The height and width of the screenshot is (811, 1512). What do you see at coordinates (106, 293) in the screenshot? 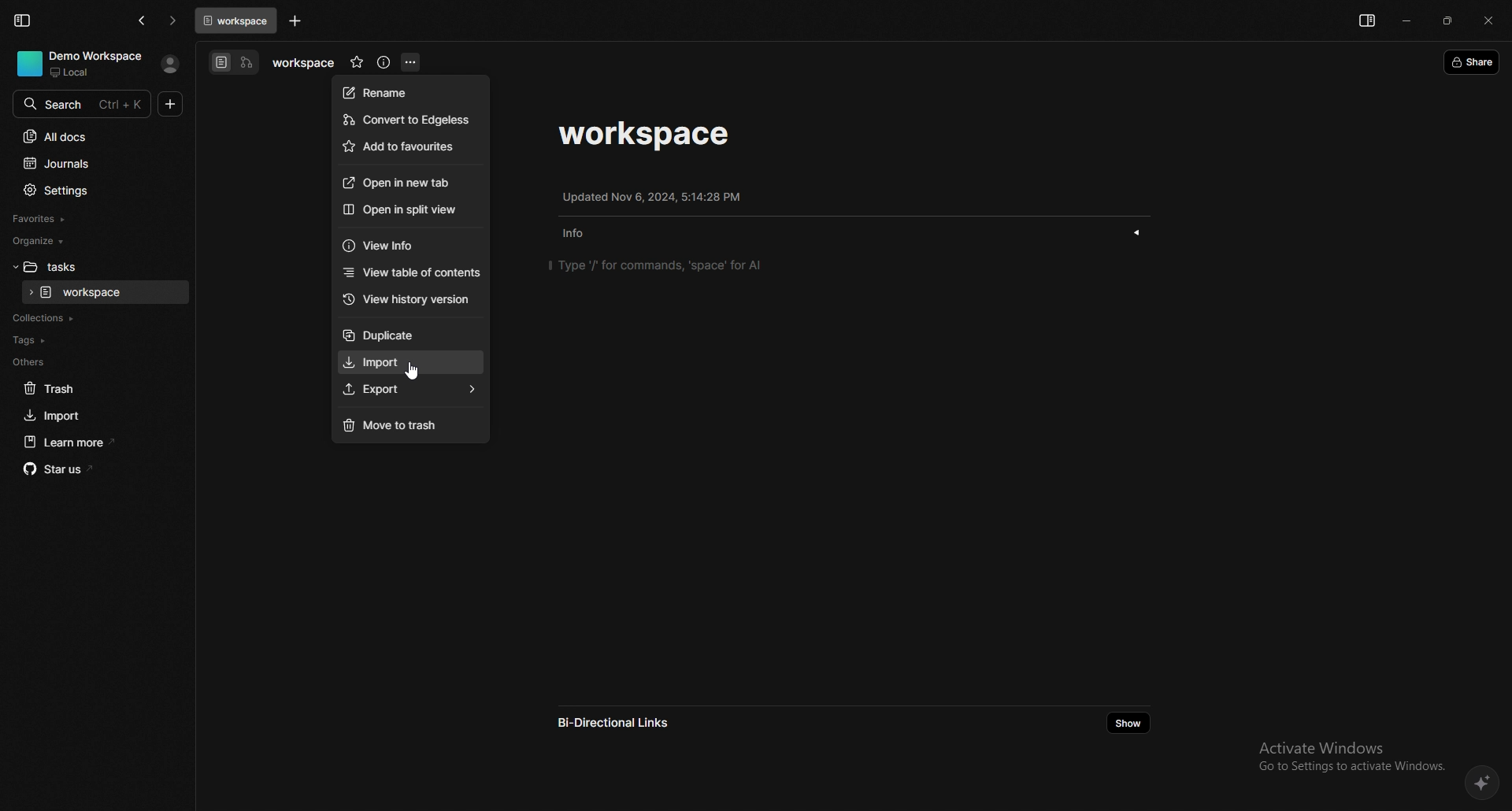
I see `task` at bounding box center [106, 293].